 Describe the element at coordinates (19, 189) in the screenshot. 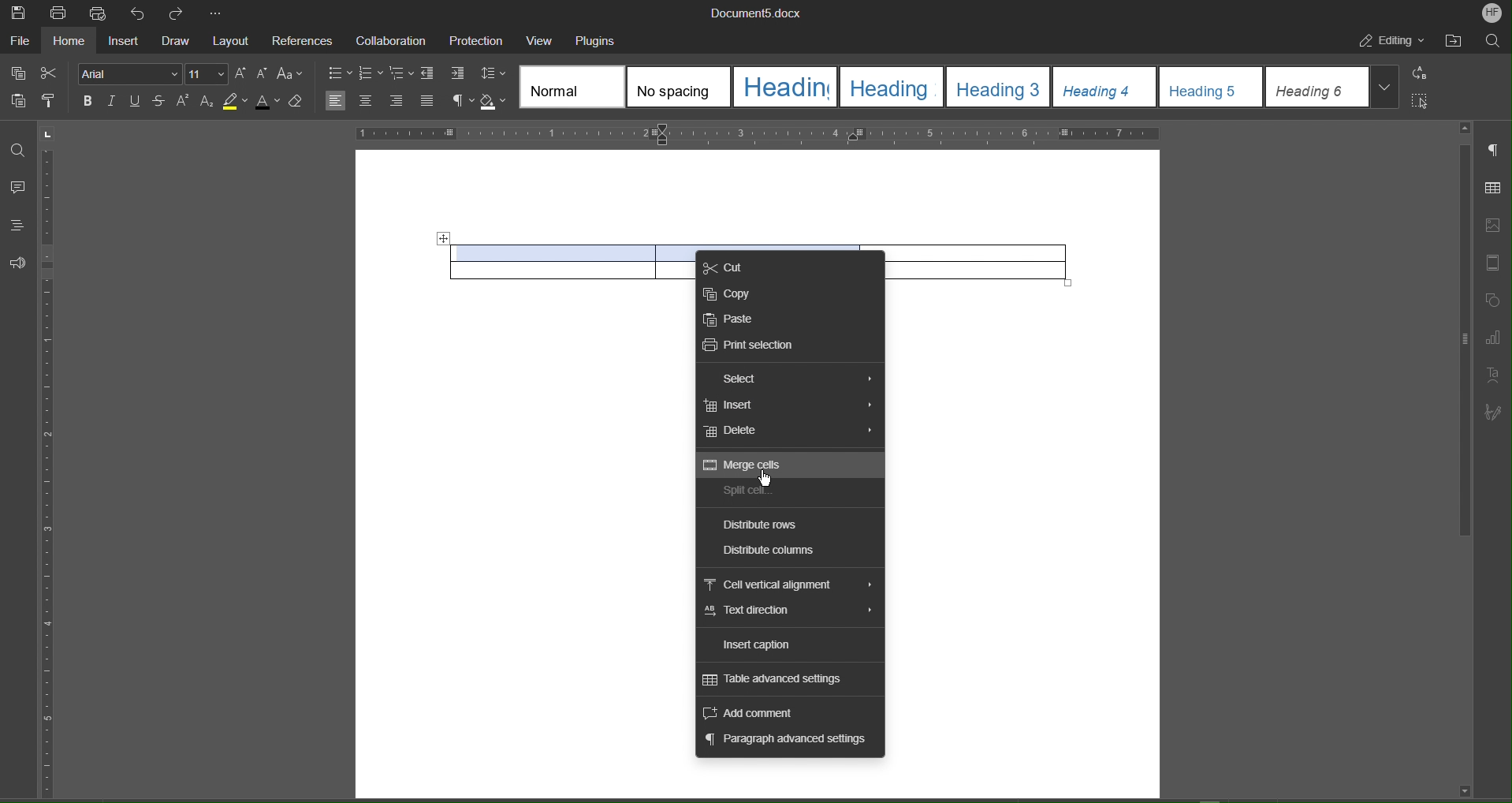

I see `Comment` at that location.